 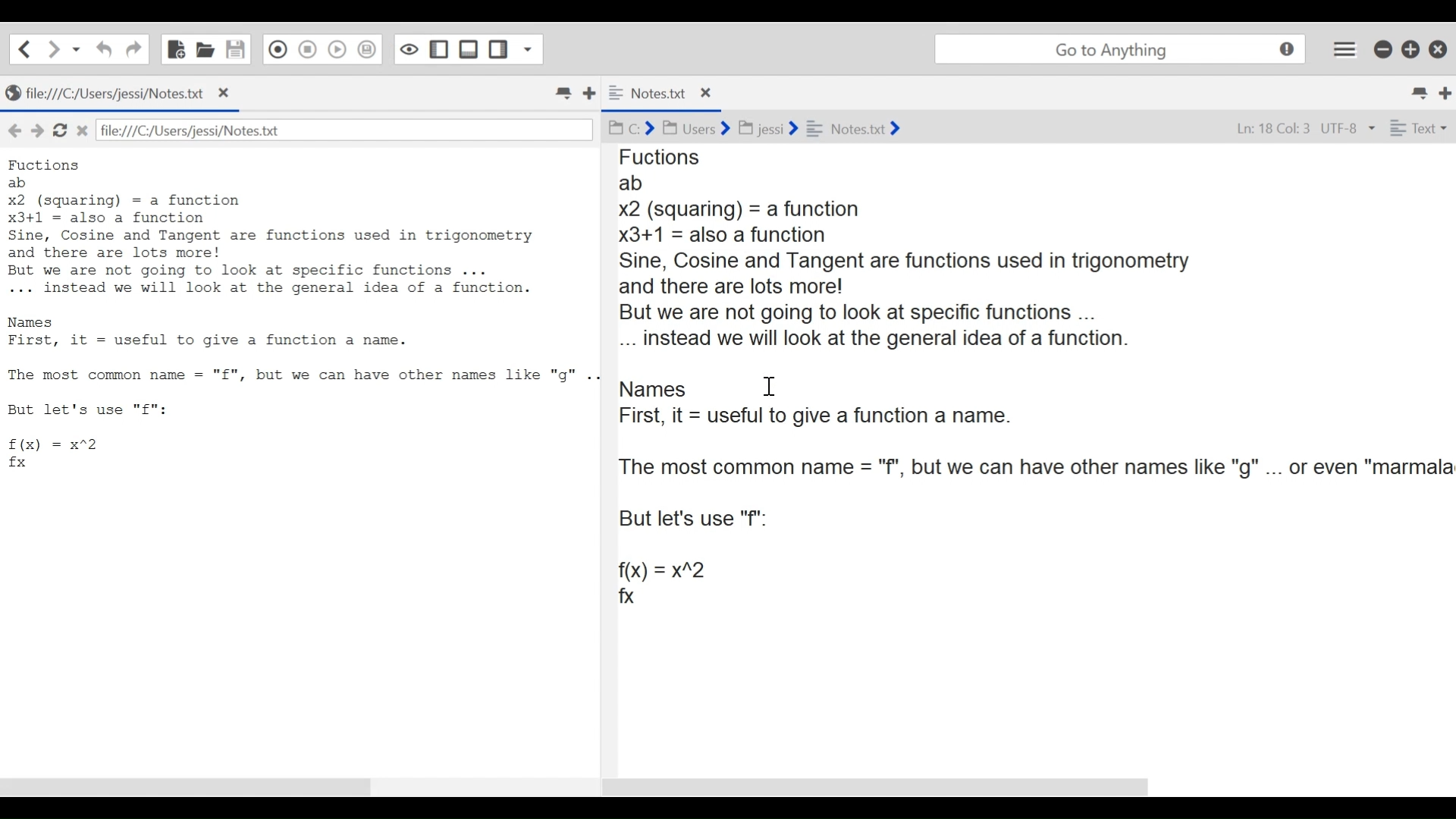 What do you see at coordinates (193, 789) in the screenshot?
I see `horizontal scroll bar` at bounding box center [193, 789].